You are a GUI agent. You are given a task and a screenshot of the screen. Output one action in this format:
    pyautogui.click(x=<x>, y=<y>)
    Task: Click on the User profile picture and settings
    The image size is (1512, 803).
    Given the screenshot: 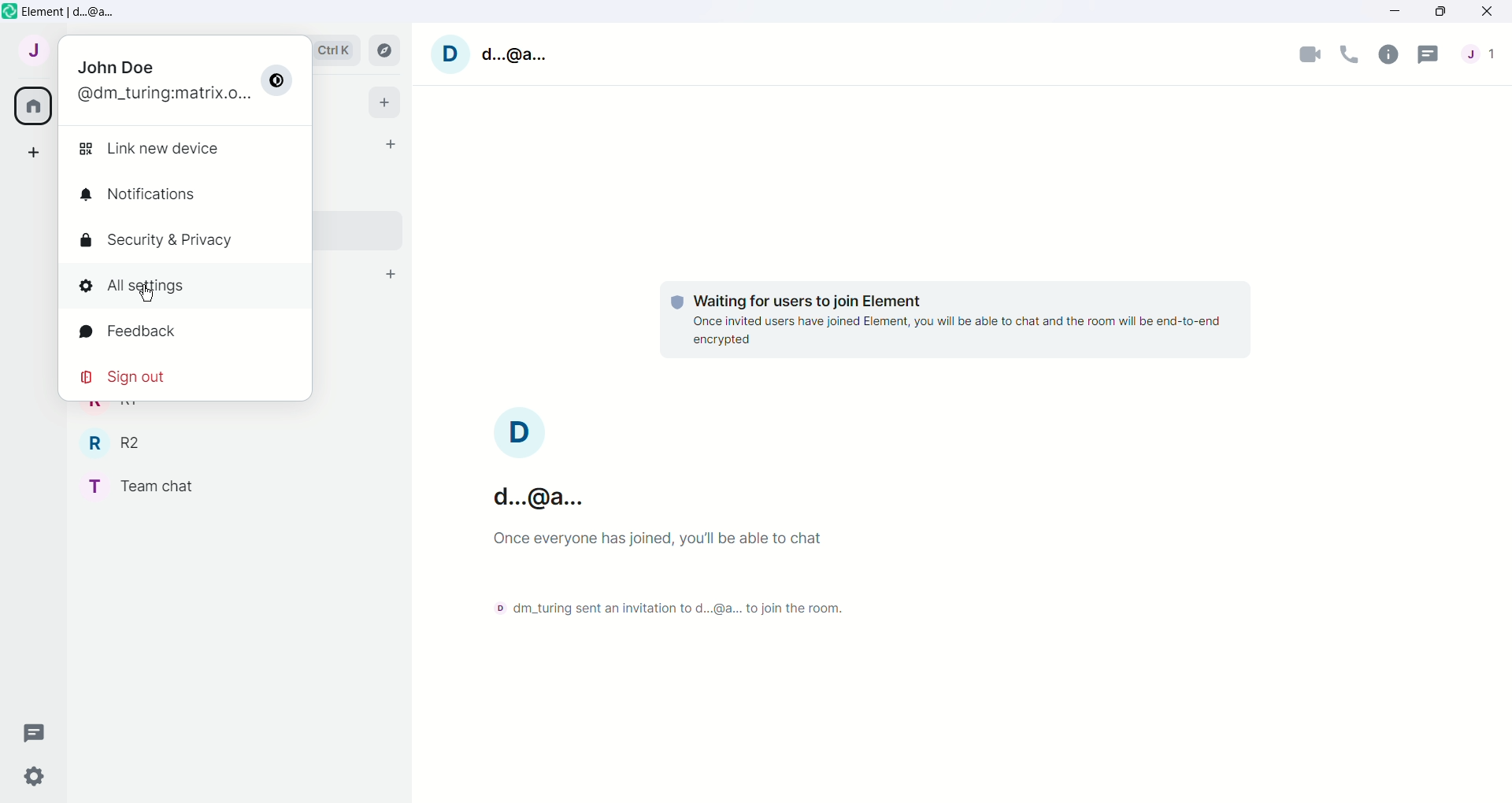 What is the action you would take?
    pyautogui.click(x=450, y=55)
    